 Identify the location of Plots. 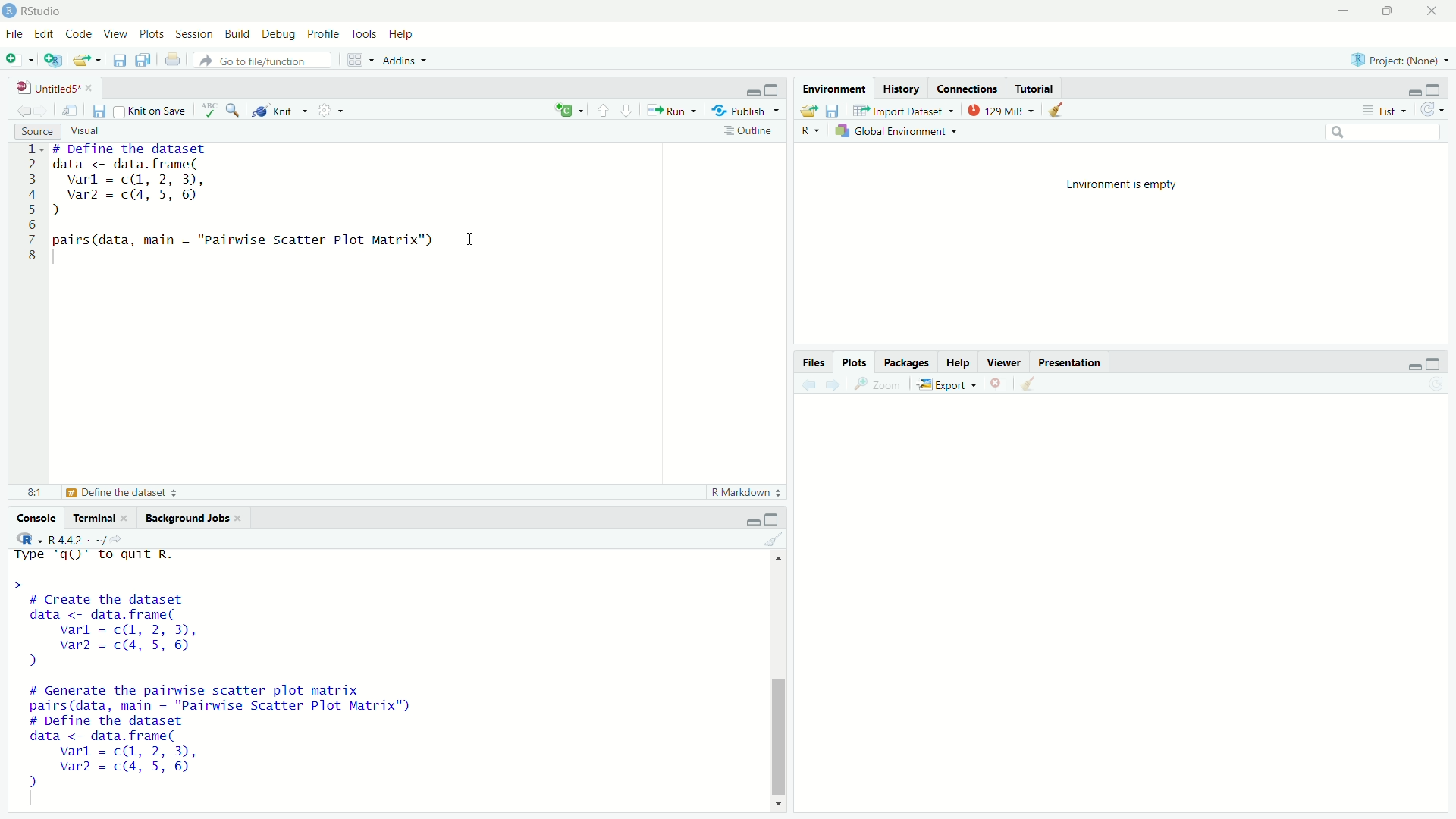
(153, 33).